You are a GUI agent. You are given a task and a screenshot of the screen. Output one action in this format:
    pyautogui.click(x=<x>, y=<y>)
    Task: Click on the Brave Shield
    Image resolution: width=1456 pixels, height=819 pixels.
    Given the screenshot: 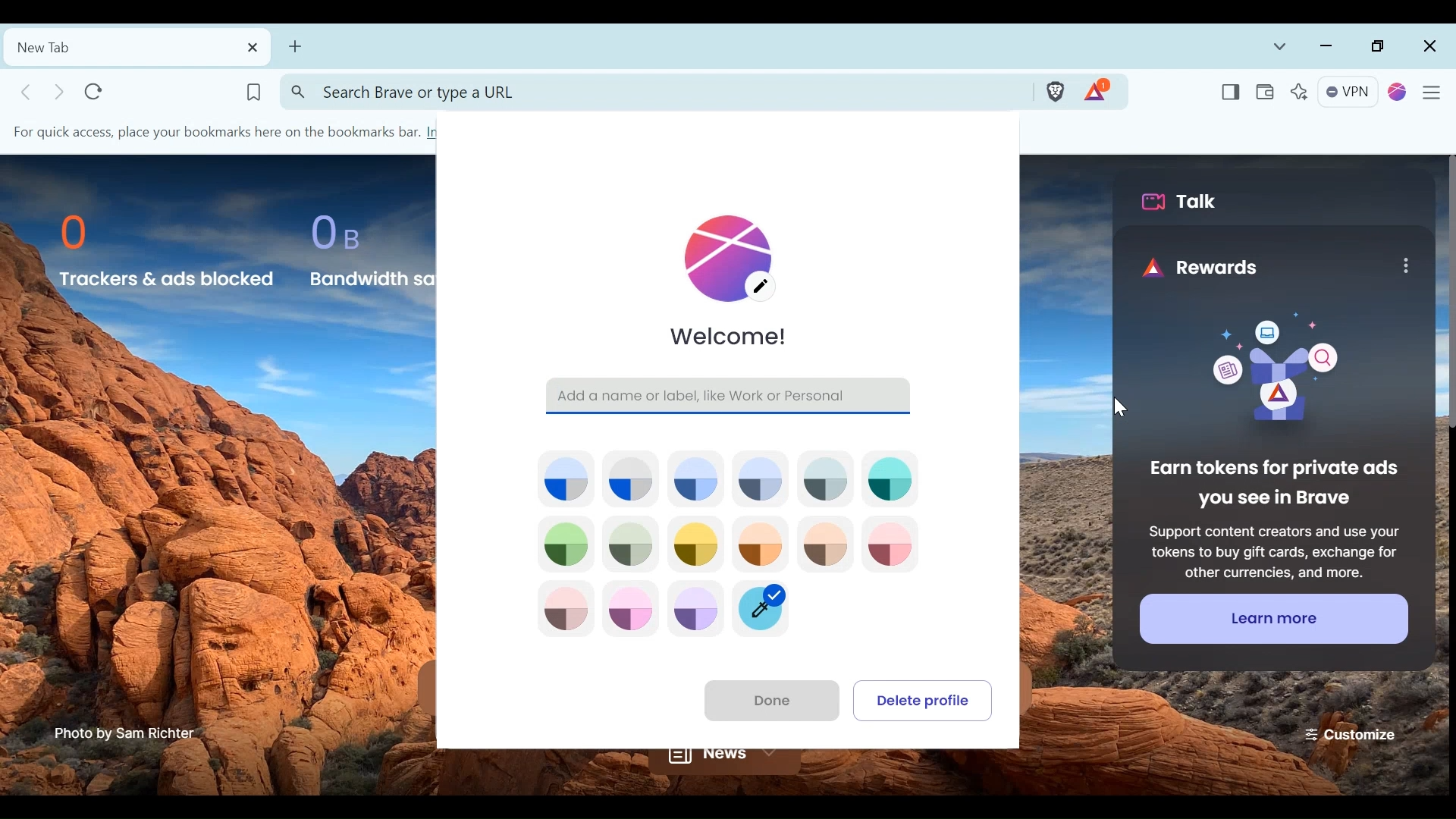 What is the action you would take?
    pyautogui.click(x=1054, y=90)
    